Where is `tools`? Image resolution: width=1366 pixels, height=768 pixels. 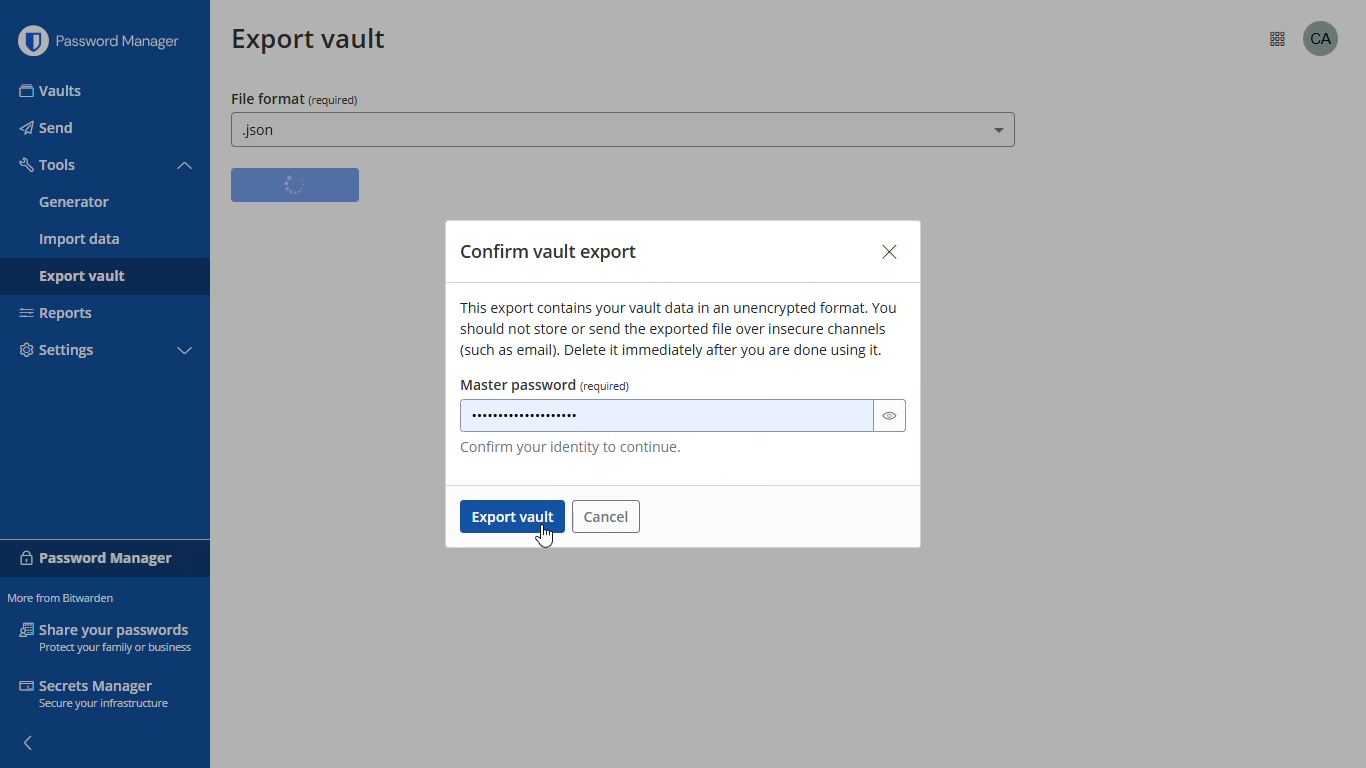 tools is located at coordinates (50, 165).